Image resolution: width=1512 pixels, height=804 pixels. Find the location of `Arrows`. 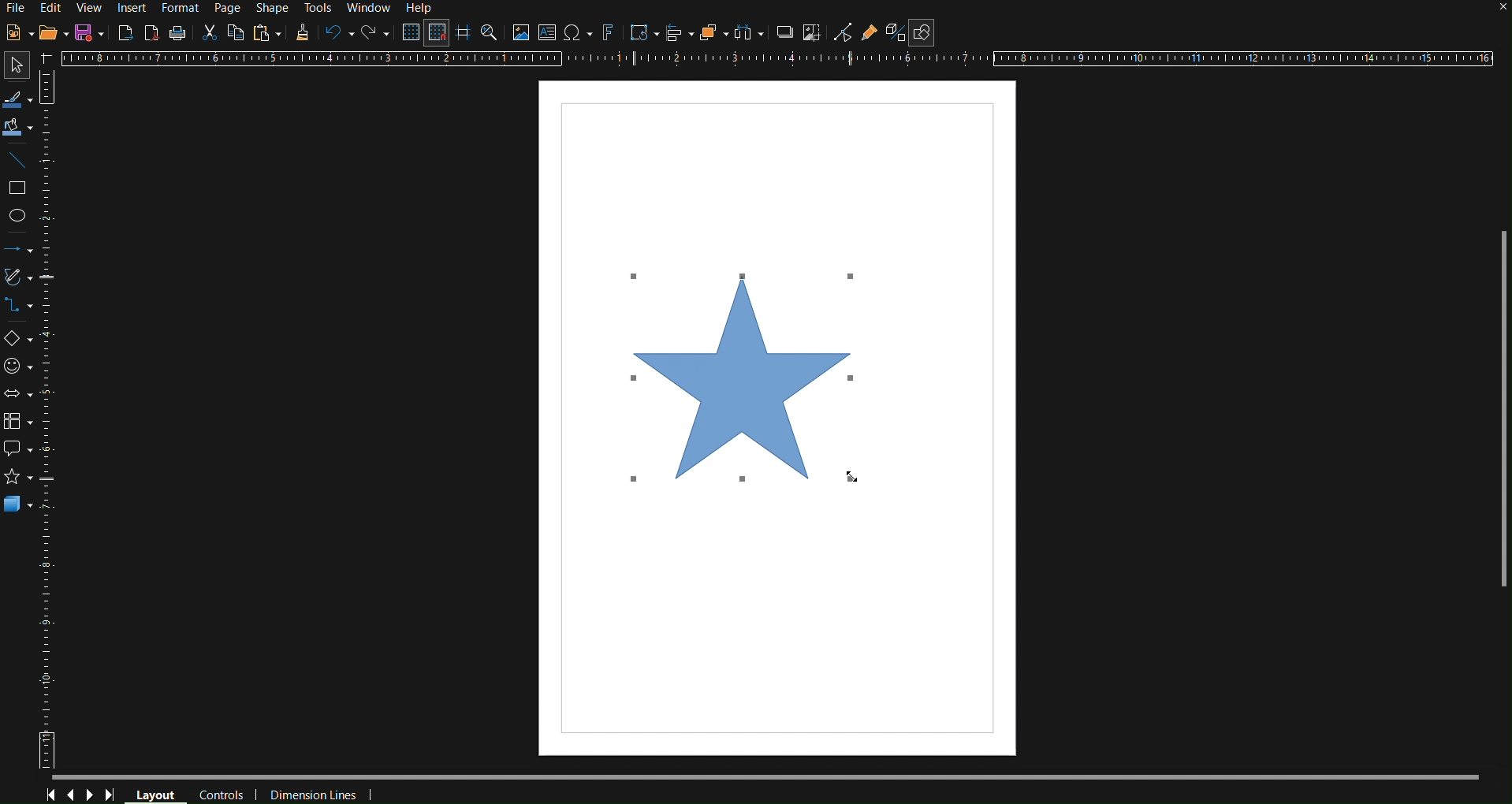

Arrows is located at coordinates (20, 253).